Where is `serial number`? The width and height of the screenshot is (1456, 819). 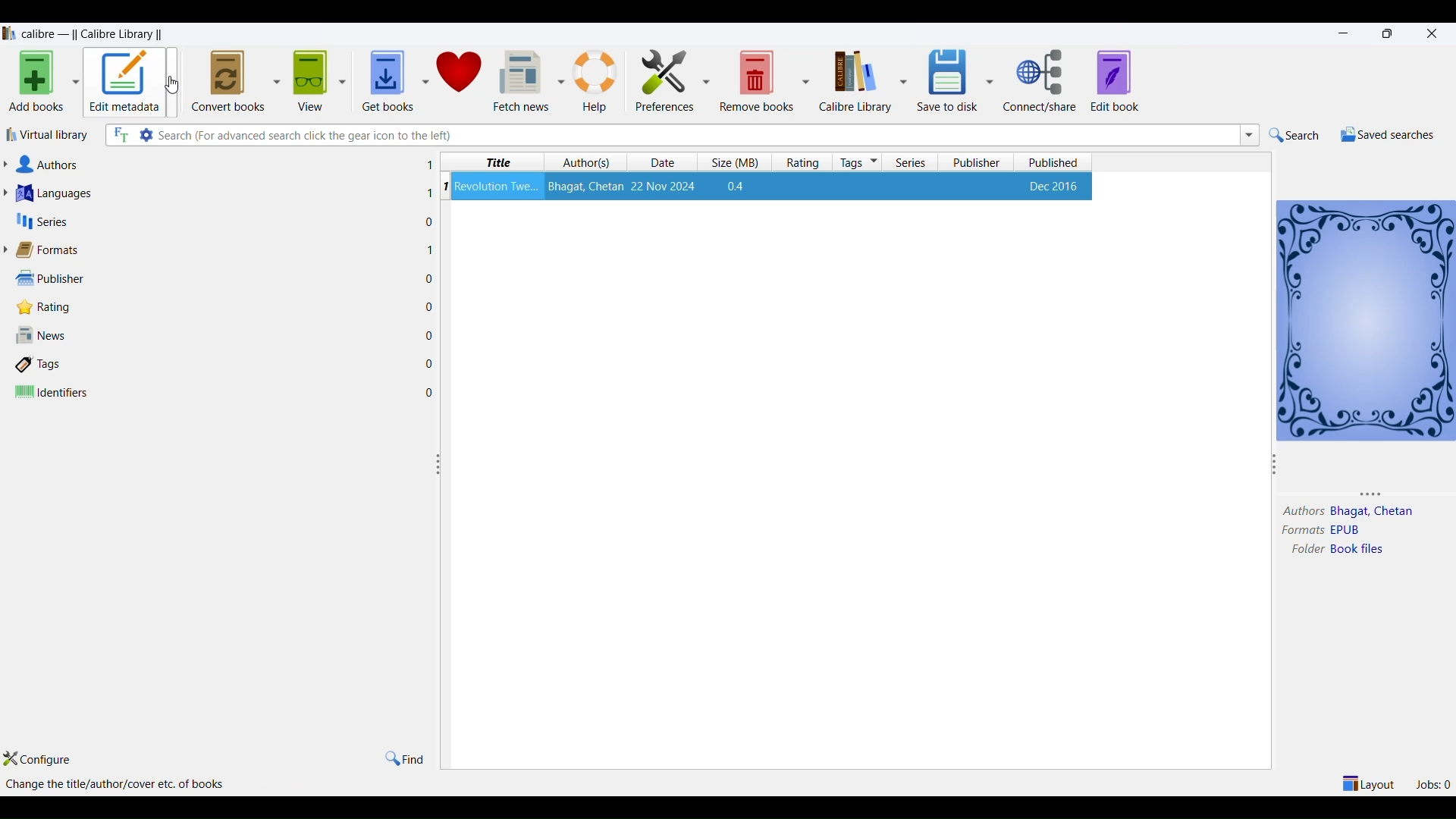 serial number is located at coordinates (444, 186).